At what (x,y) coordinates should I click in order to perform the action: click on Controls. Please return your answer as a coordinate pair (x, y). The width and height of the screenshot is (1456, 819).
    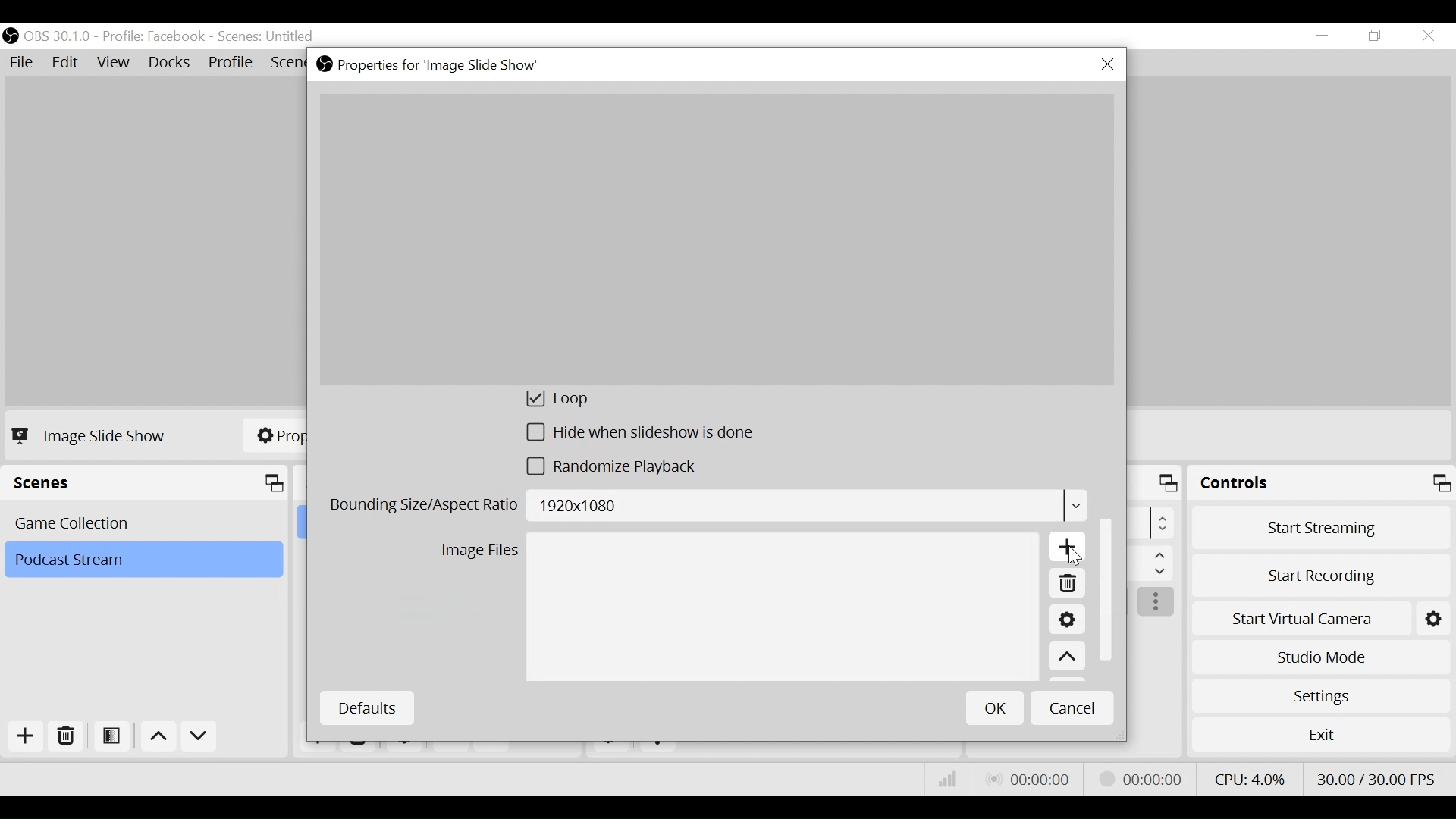
    Looking at the image, I should click on (1321, 485).